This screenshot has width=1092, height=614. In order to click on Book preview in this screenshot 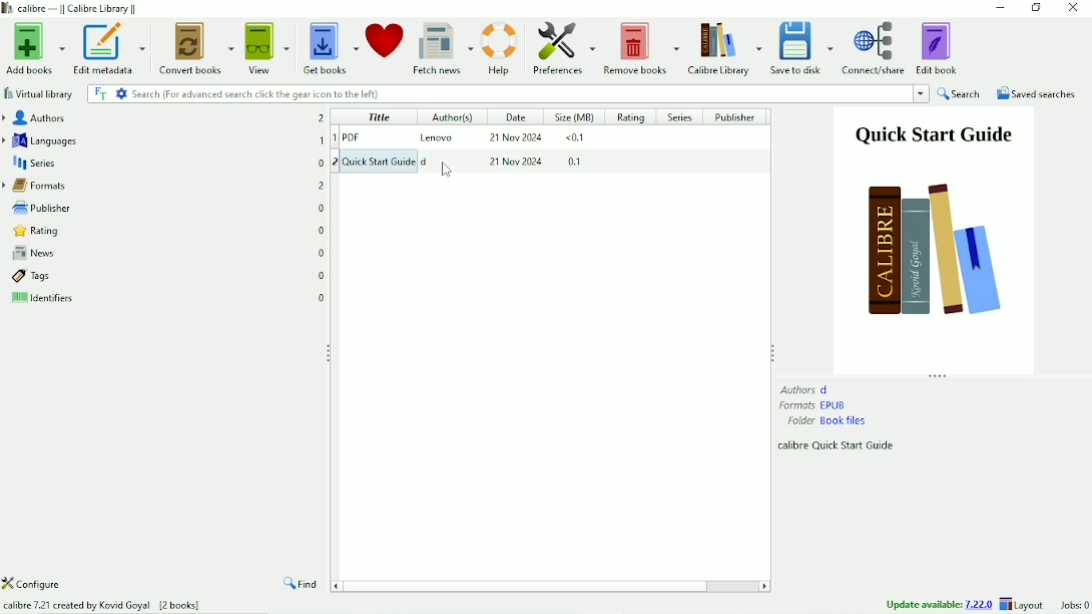, I will do `click(934, 239)`.